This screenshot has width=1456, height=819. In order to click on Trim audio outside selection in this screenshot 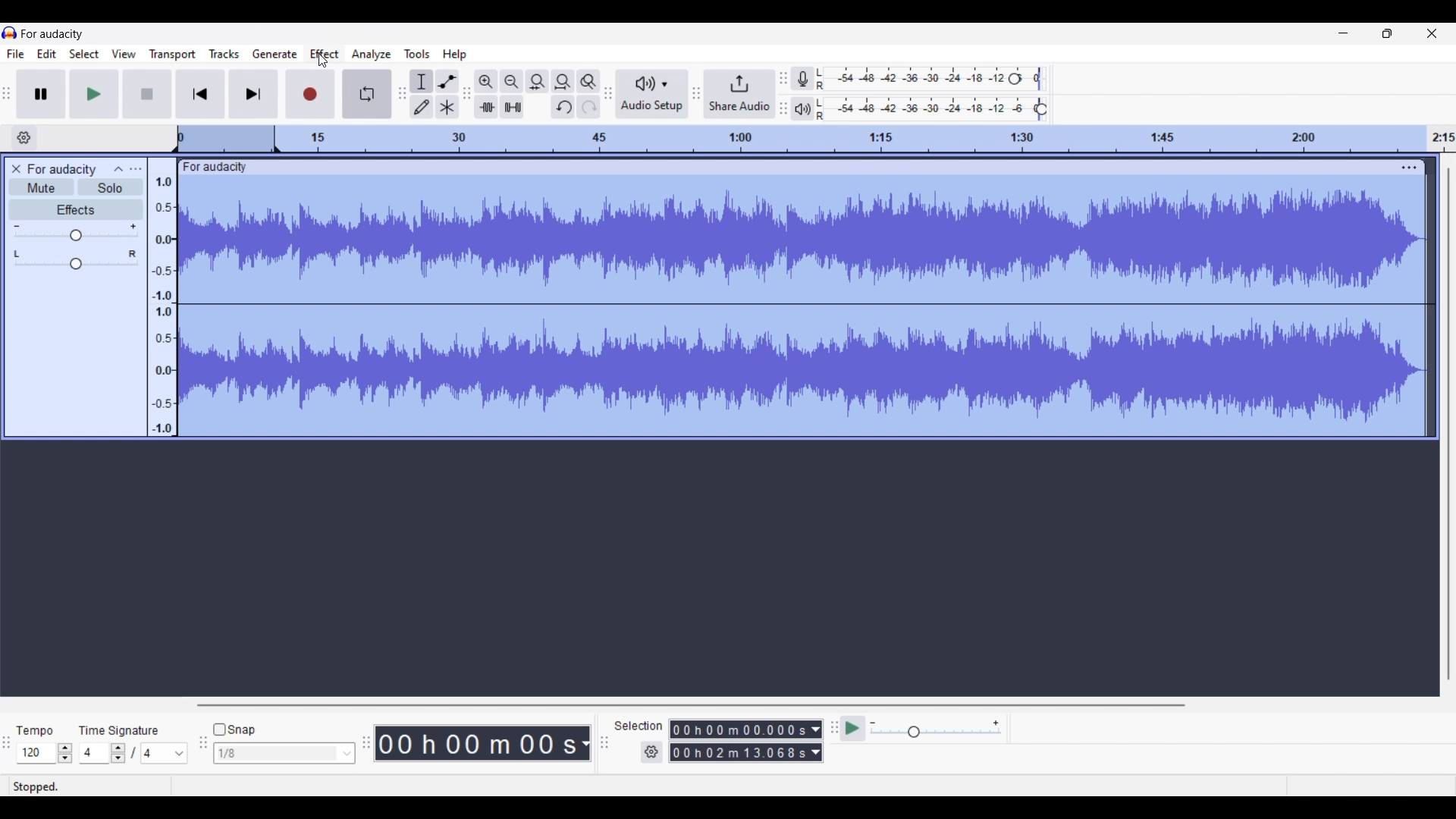, I will do `click(486, 106)`.